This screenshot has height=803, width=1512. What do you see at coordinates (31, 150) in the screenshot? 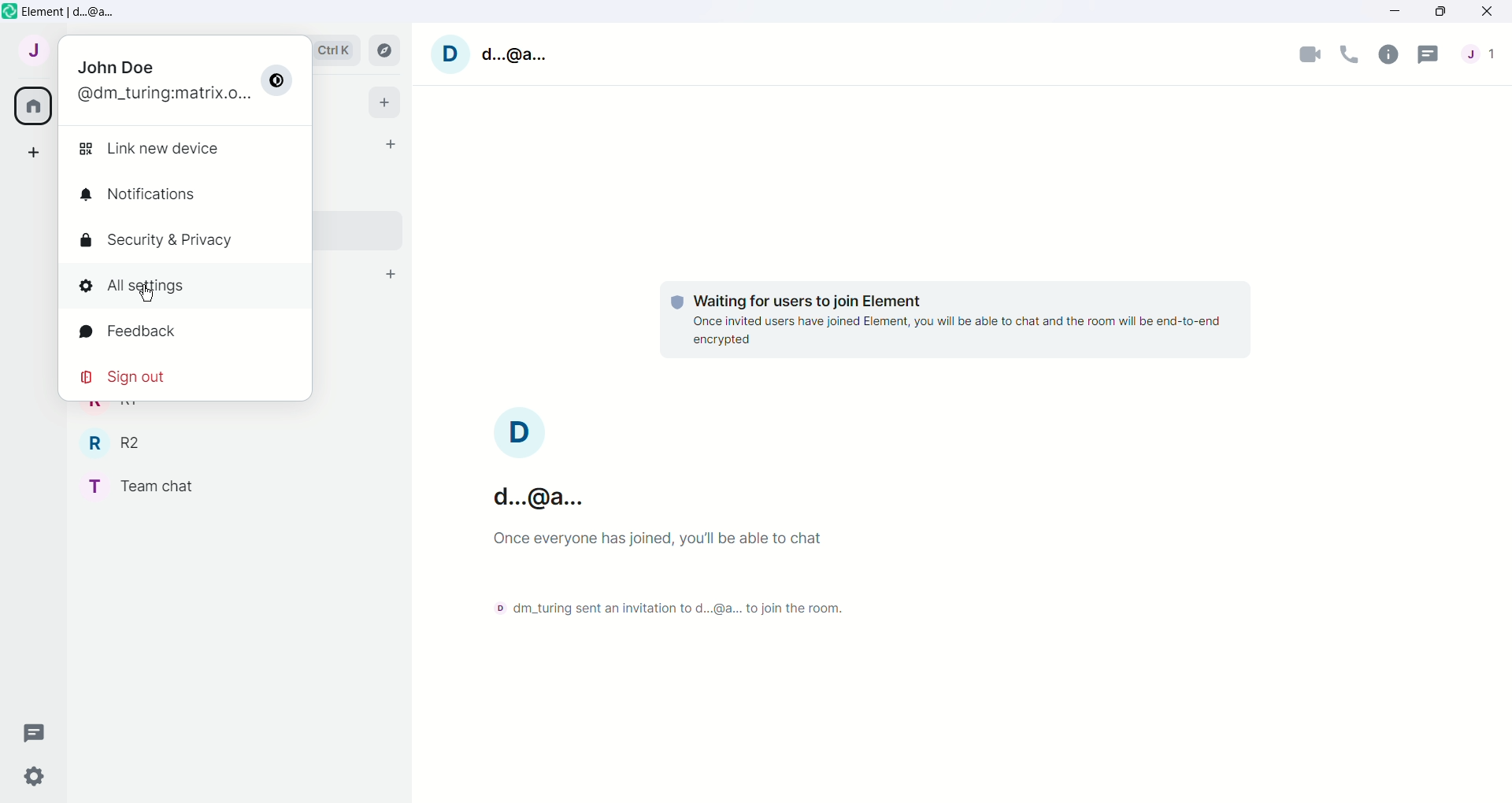
I see `Create a space` at bounding box center [31, 150].